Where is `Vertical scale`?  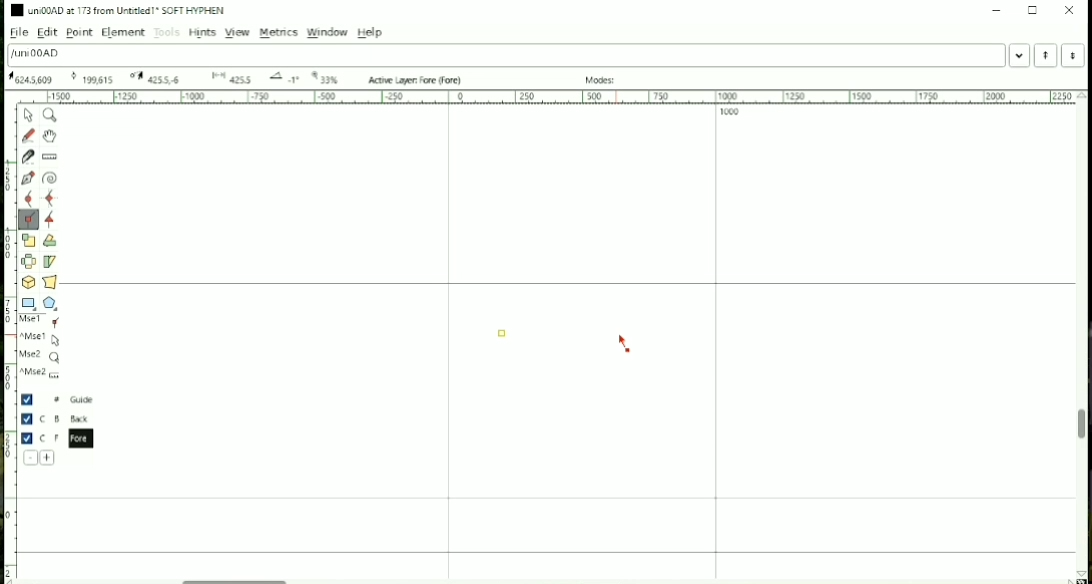
Vertical scale is located at coordinates (10, 336).